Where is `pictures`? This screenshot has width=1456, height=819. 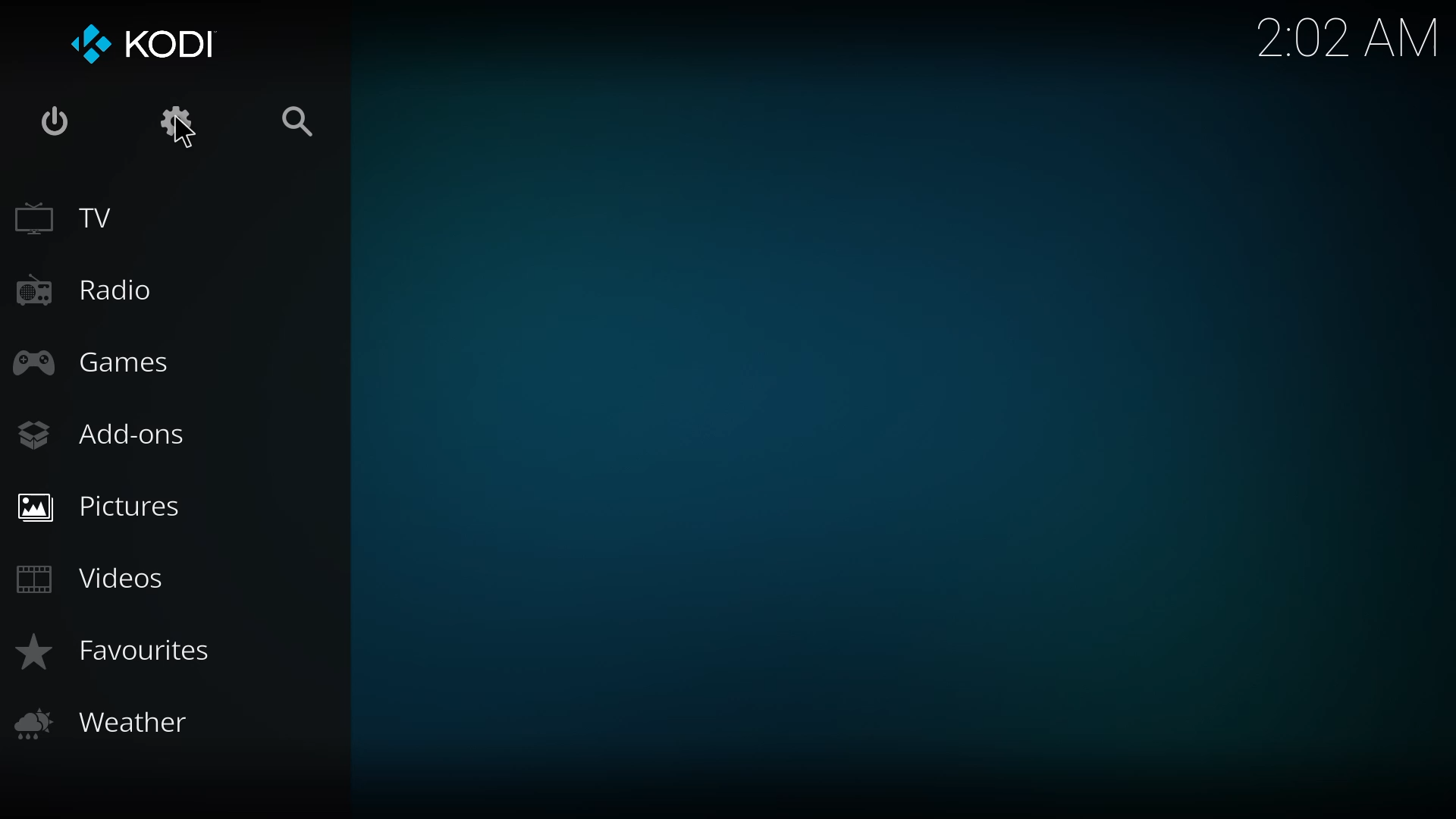 pictures is located at coordinates (106, 508).